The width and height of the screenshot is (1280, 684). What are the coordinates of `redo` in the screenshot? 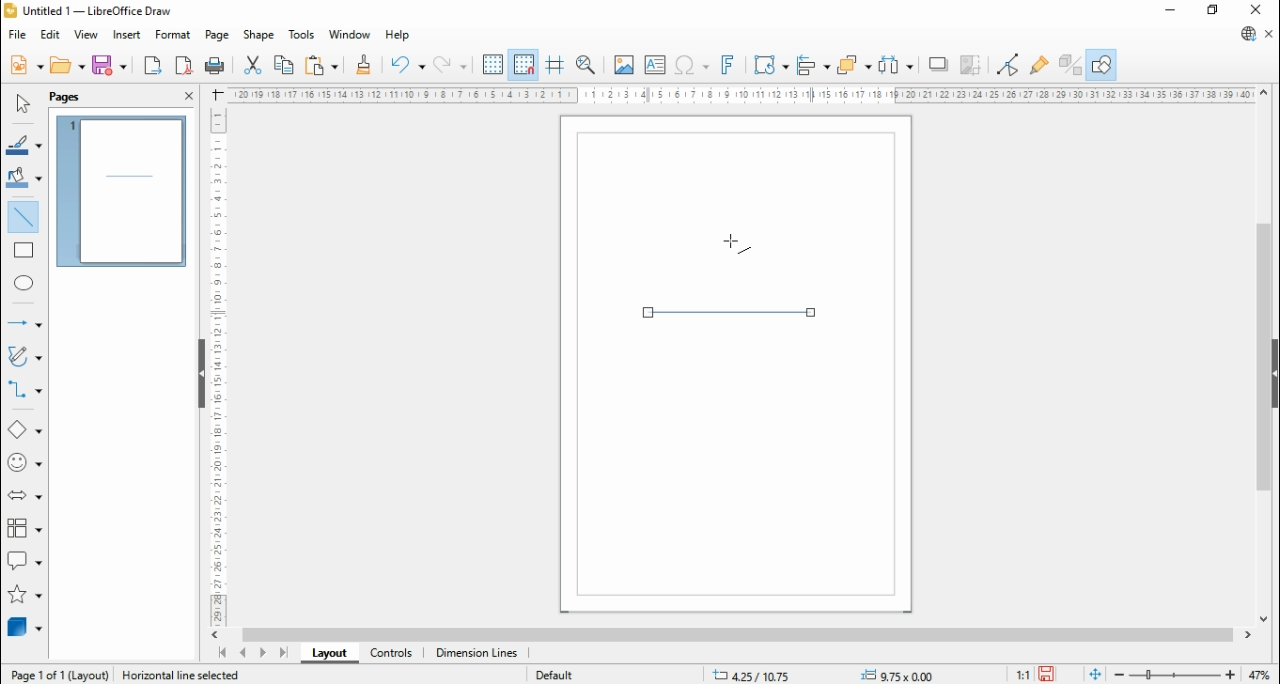 It's located at (451, 64).